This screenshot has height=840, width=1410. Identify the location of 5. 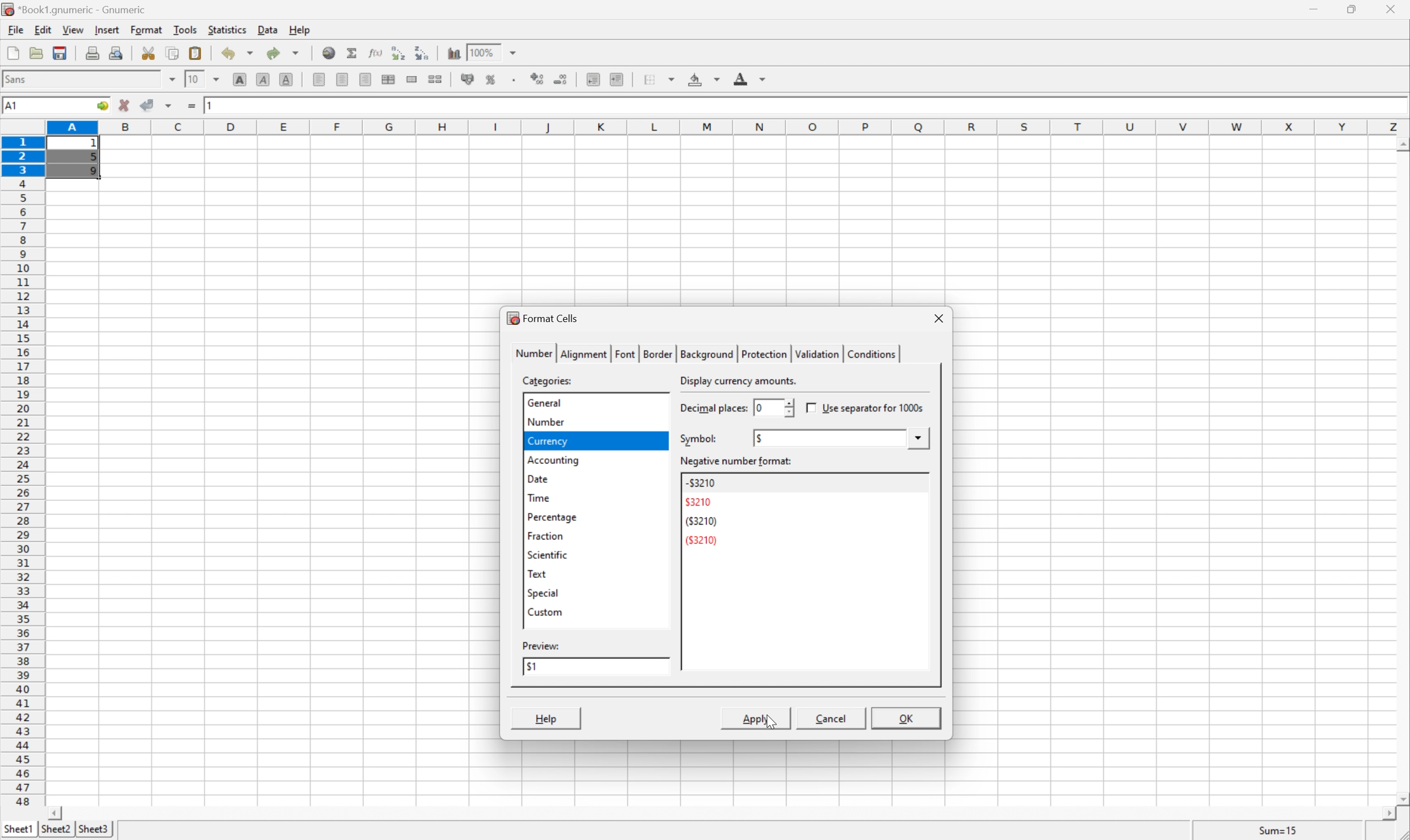
(93, 158).